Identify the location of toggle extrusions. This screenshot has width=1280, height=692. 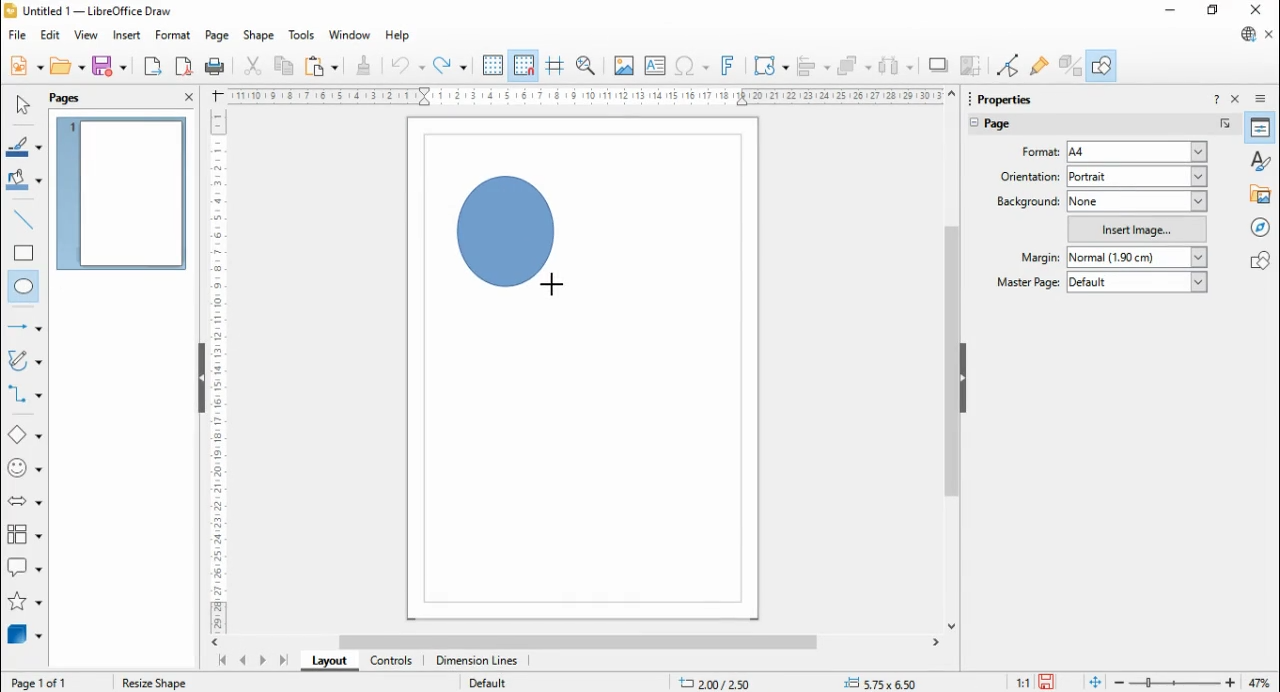
(1070, 65).